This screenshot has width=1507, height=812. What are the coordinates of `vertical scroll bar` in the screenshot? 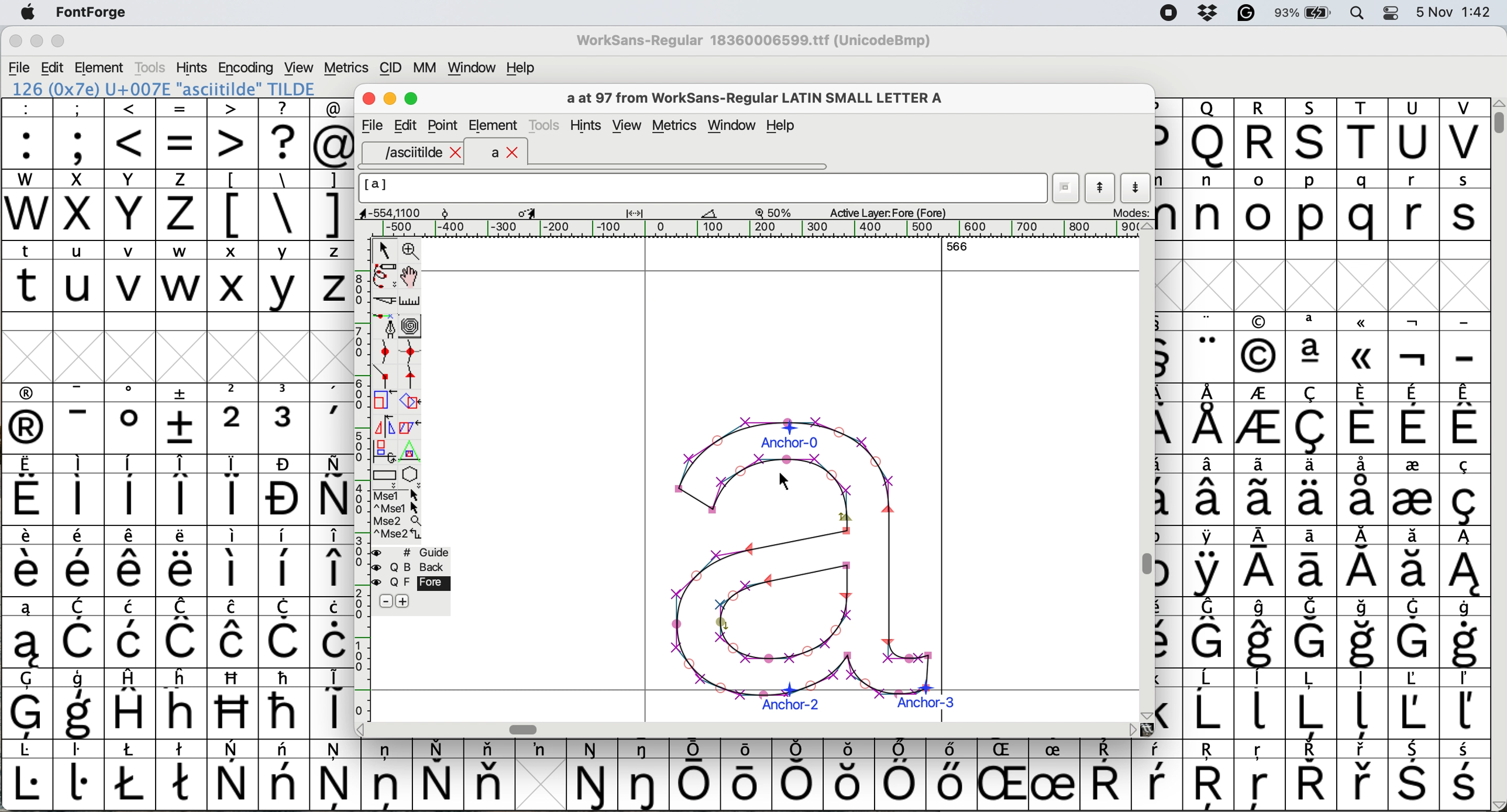 It's located at (1496, 117).